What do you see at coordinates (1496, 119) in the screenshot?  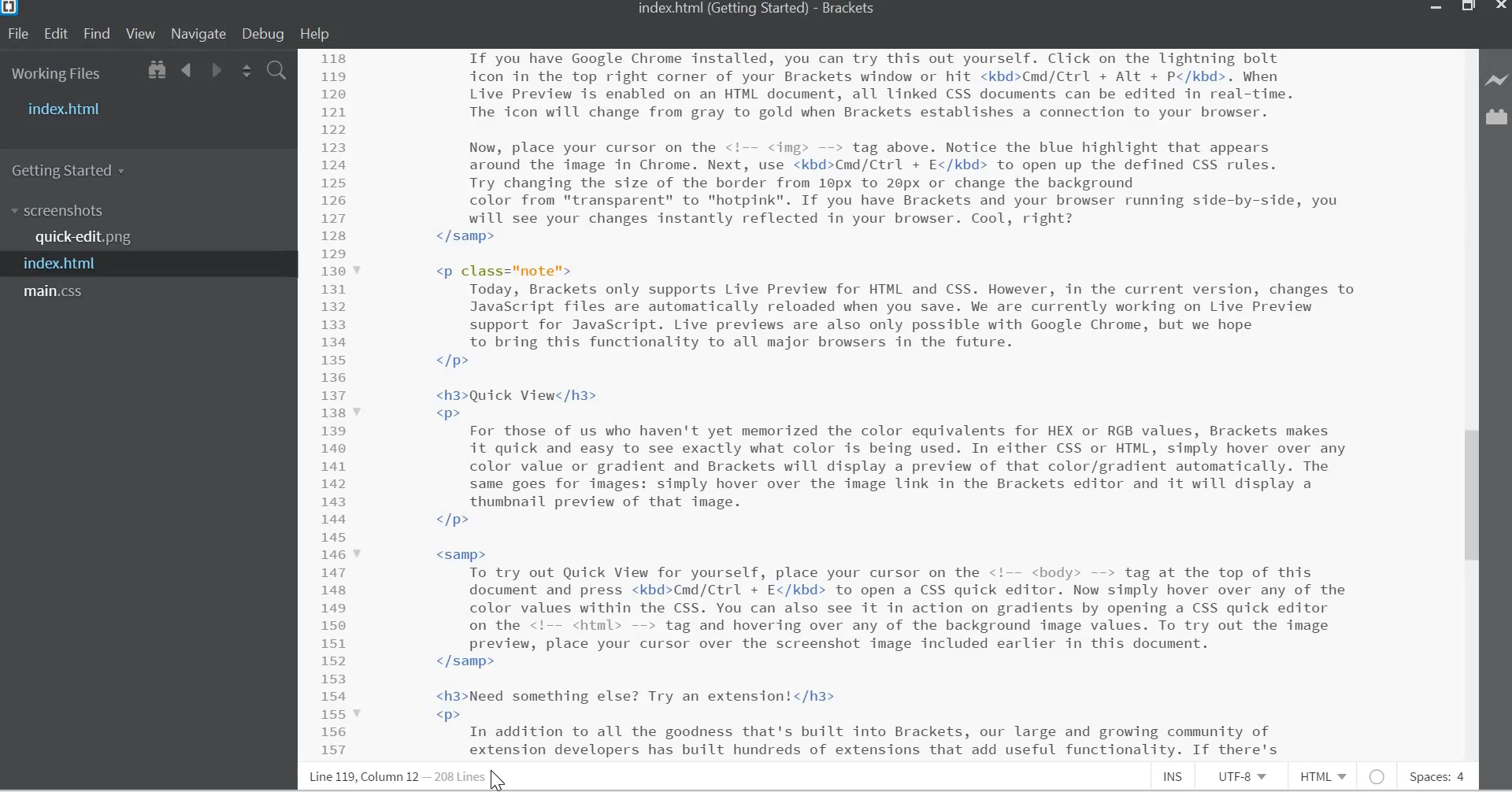 I see `Extension manager` at bounding box center [1496, 119].